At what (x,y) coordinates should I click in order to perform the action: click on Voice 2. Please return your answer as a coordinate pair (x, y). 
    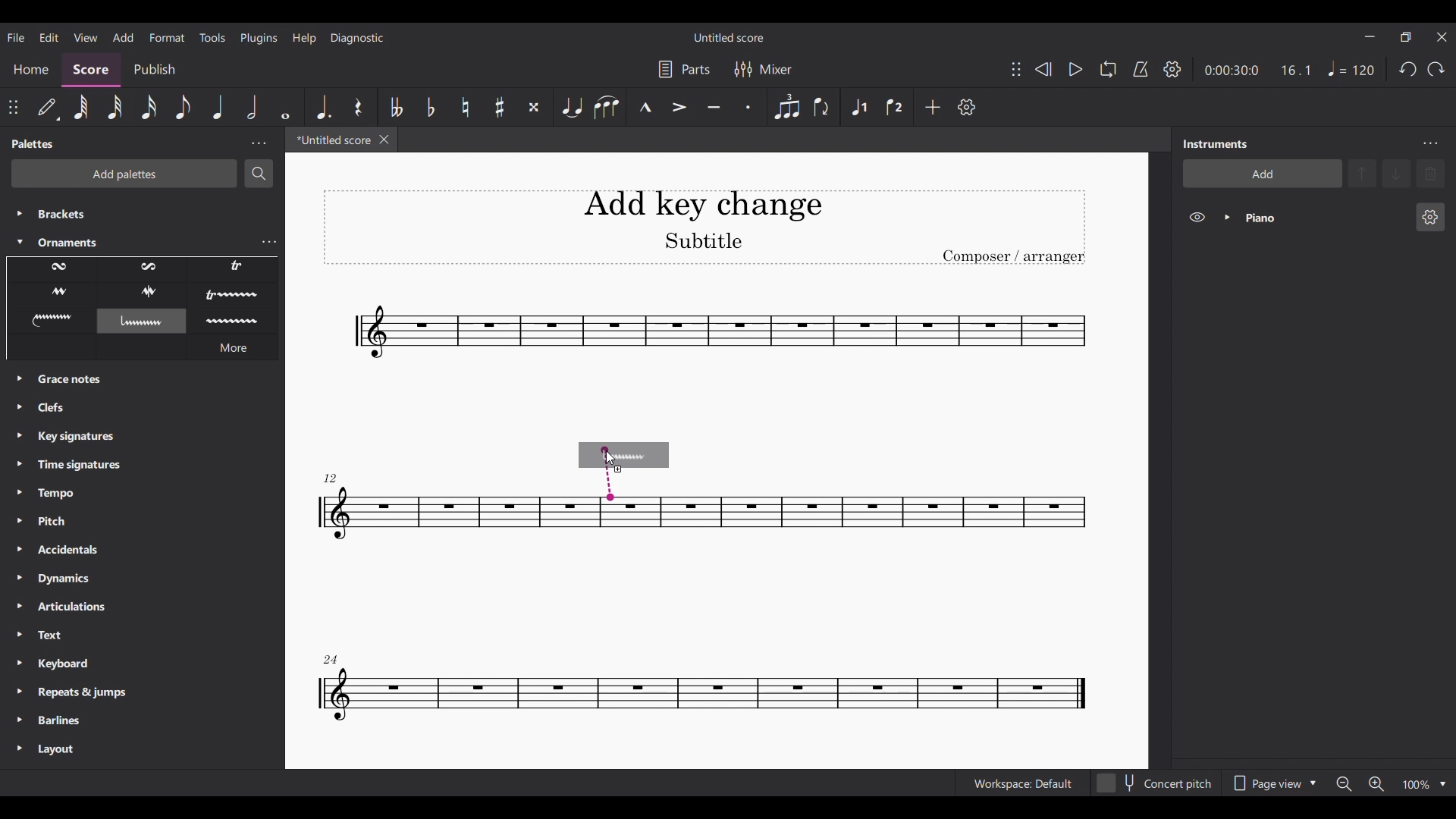
    Looking at the image, I should click on (895, 105).